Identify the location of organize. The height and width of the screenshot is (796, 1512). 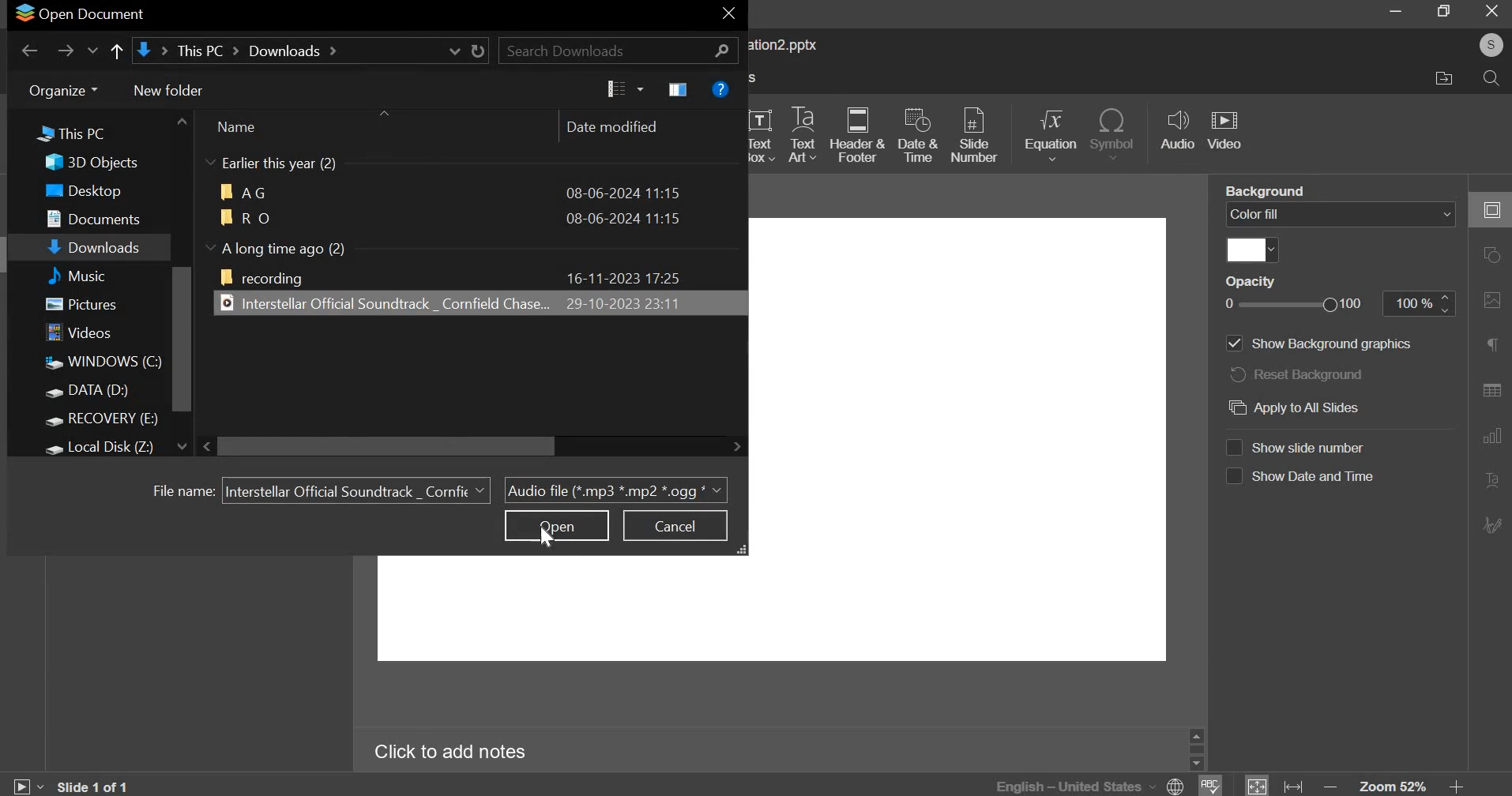
(64, 90).